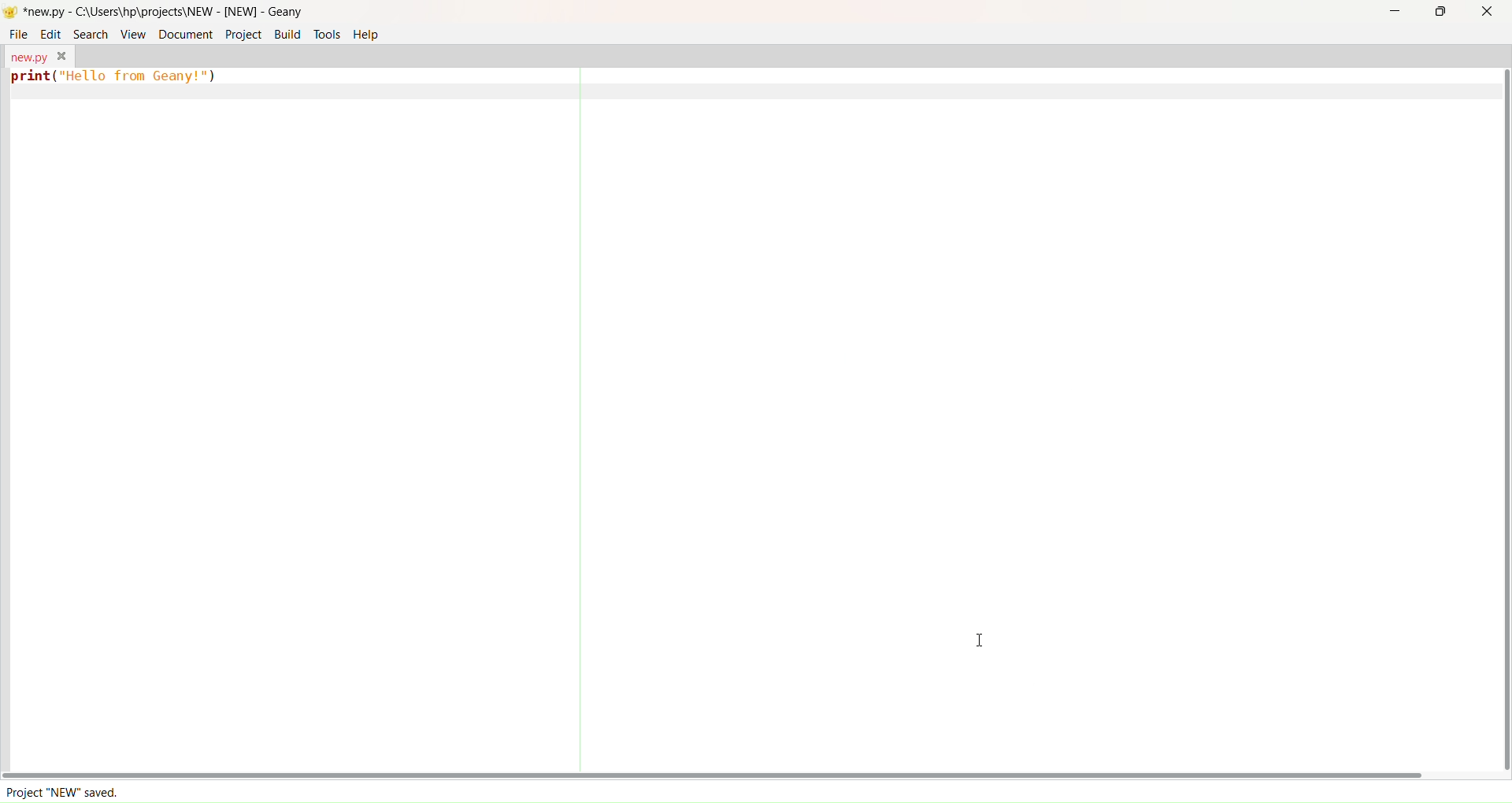 The image size is (1512, 803). What do you see at coordinates (19, 34) in the screenshot?
I see `file` at bounding box center [19, 34].